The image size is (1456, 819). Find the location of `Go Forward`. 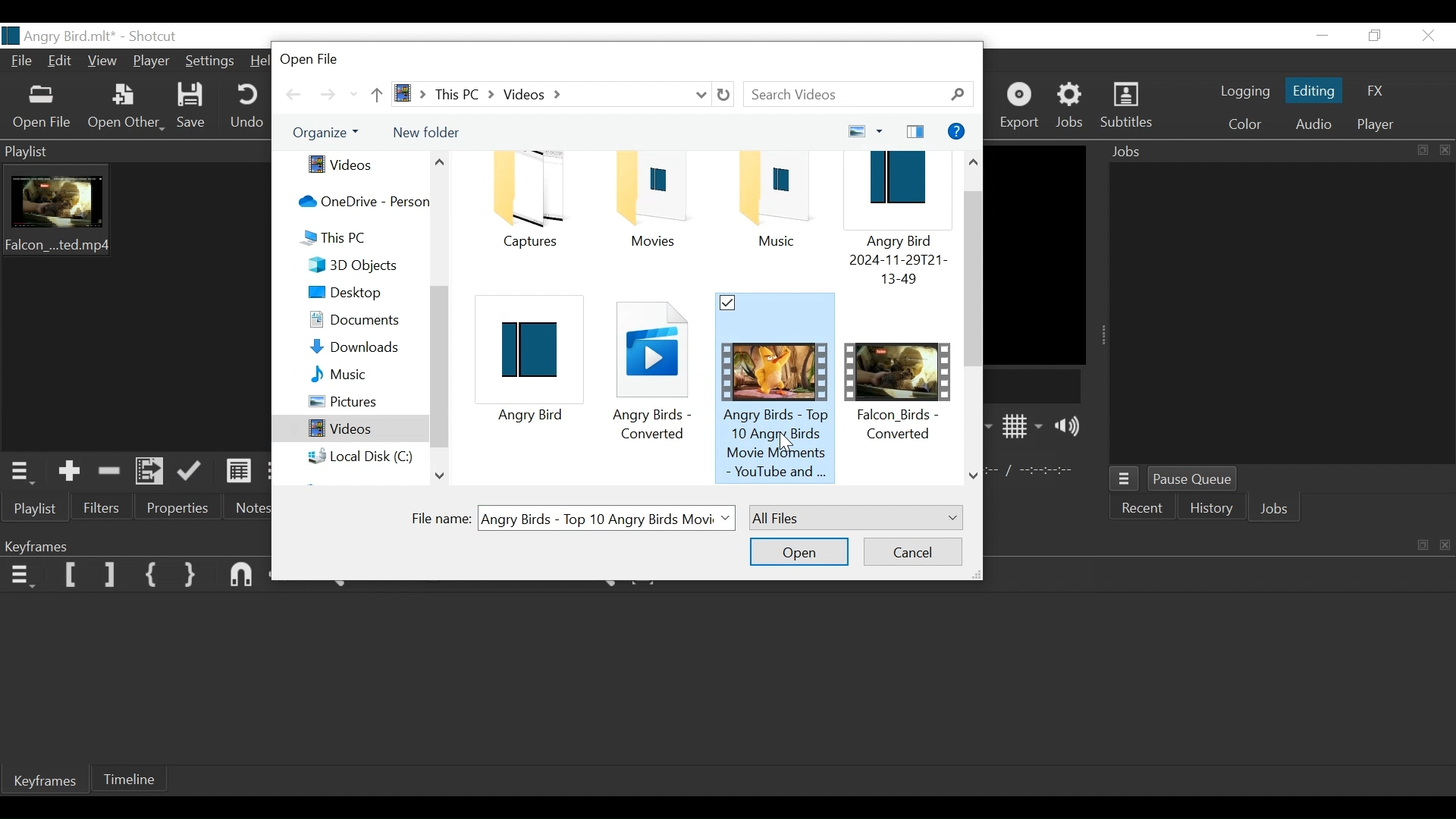

Go Forward is located at coordinates (333, 94).